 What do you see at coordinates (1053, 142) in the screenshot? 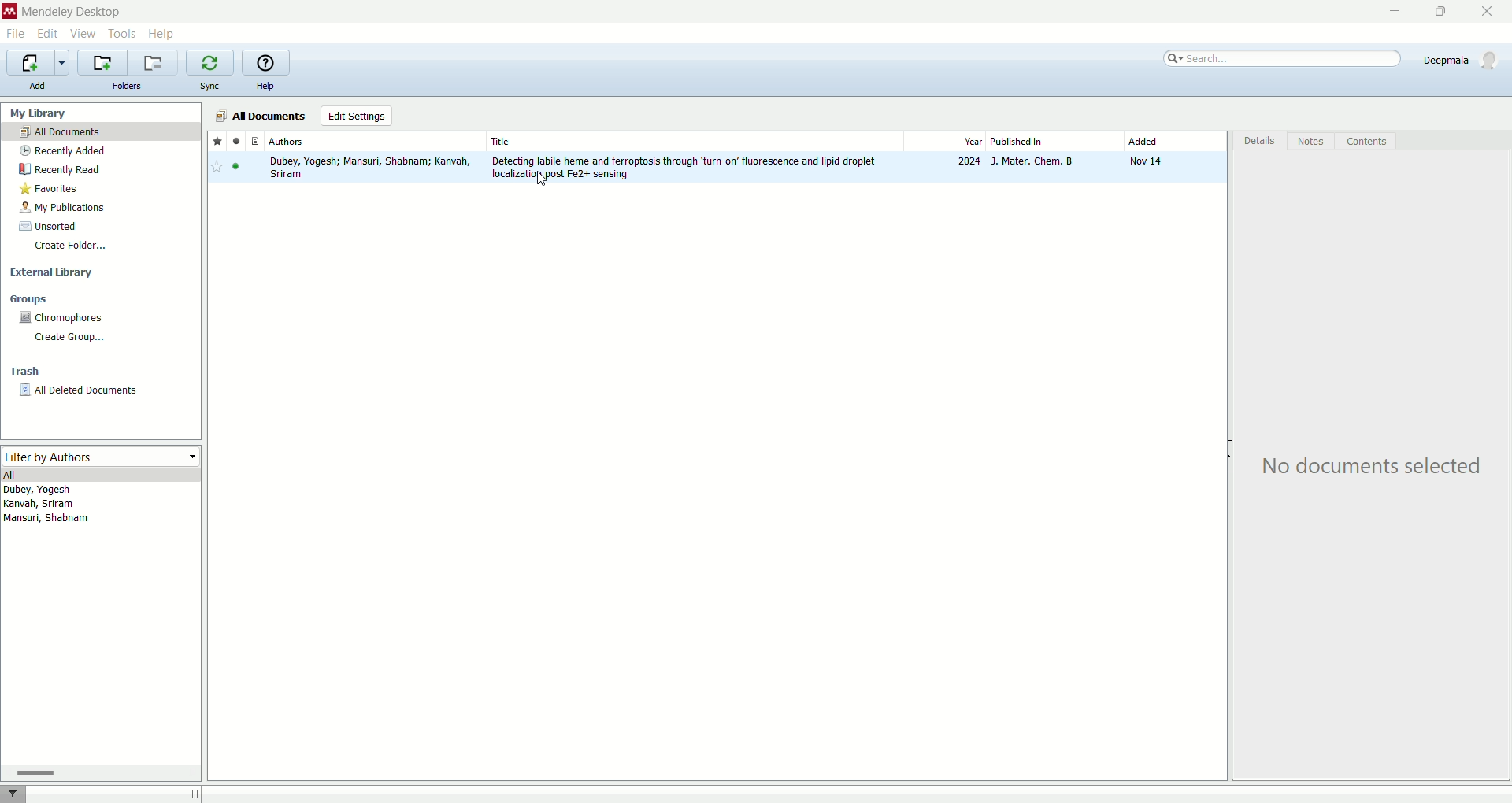
I see `published in` at bounding box center [1053, 142].